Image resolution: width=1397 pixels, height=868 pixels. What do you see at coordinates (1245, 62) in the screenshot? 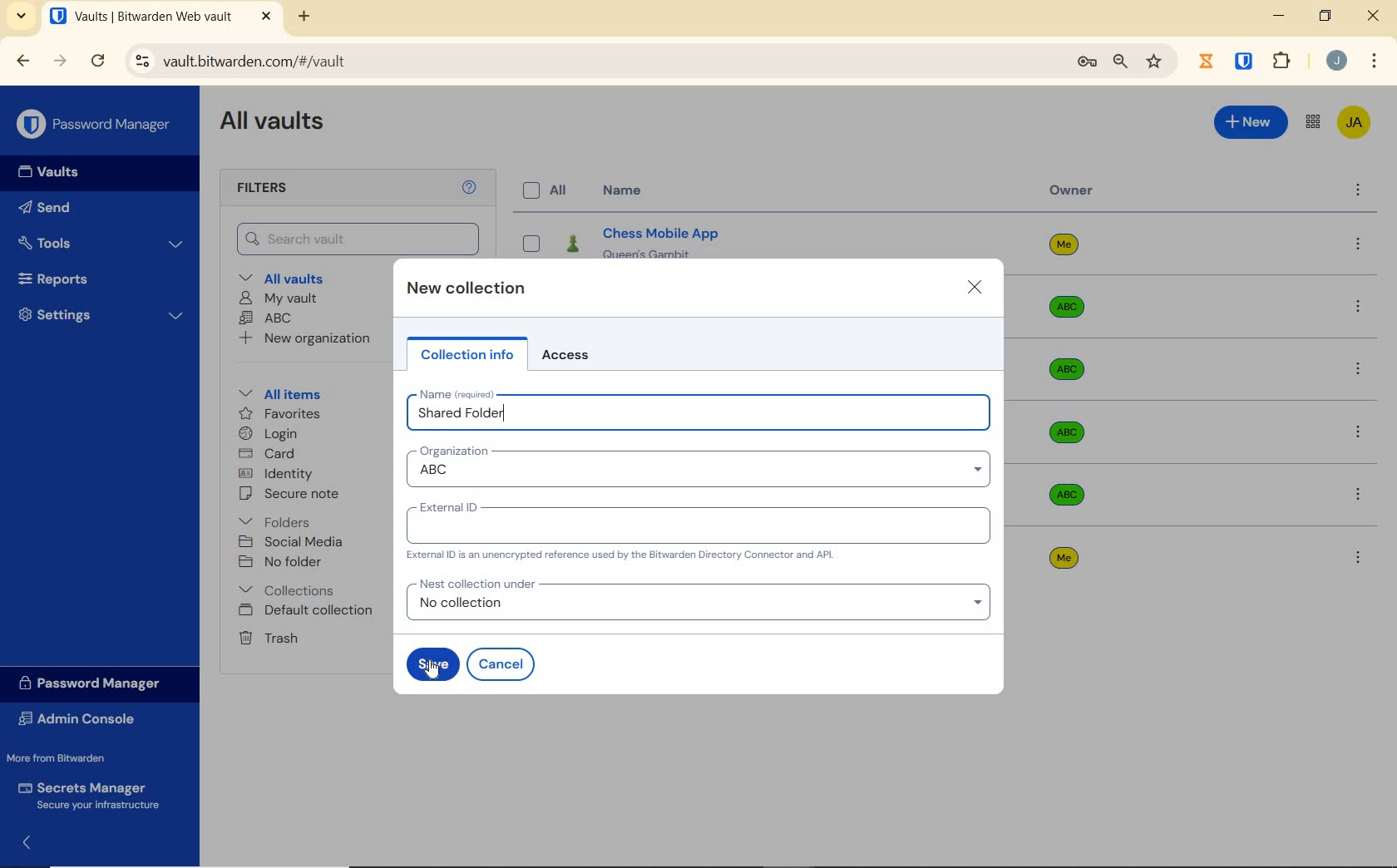
I see `bitwarden extension` at bounding box center [1245, 62].